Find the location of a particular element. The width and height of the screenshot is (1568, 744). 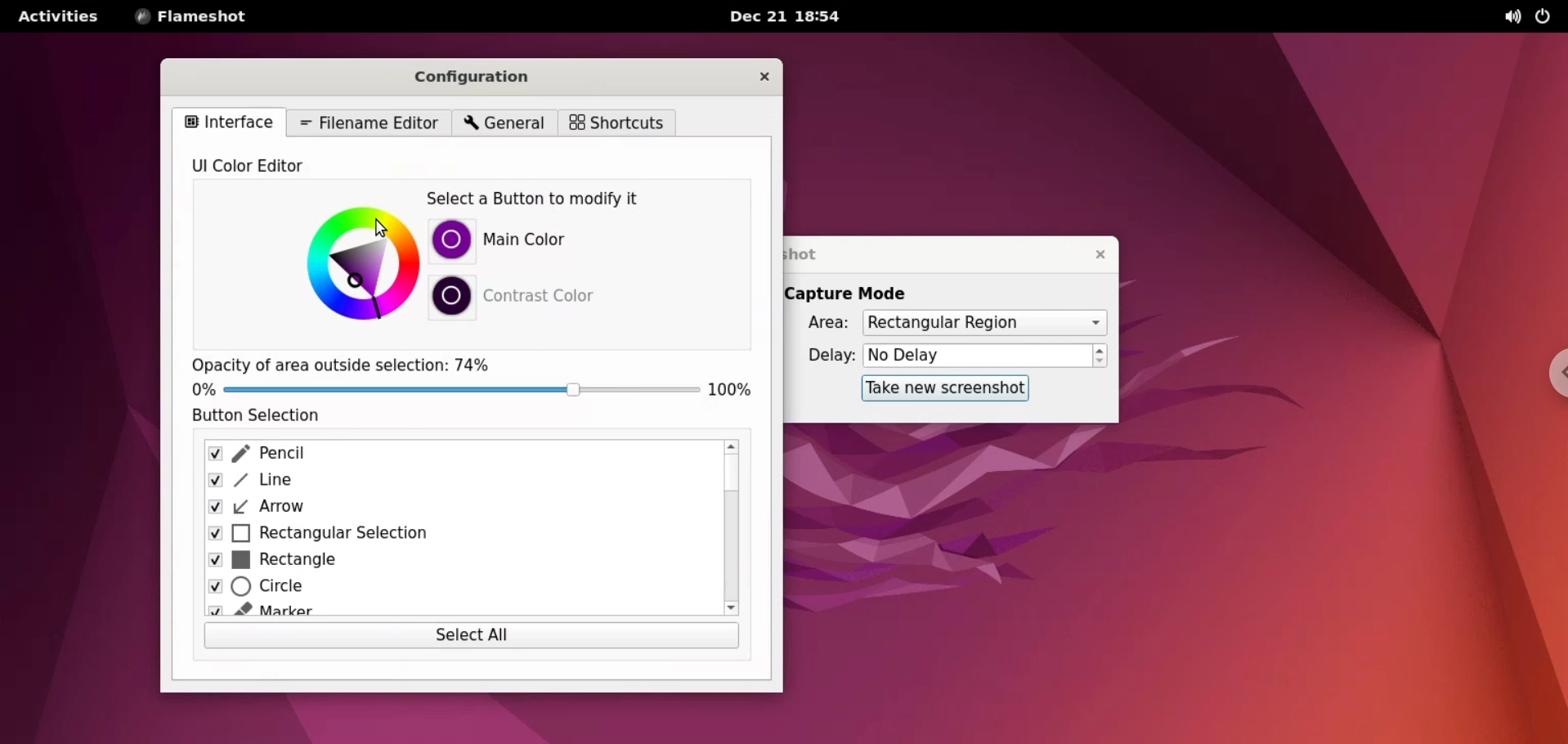

100% is located at coordinates (733, 390).